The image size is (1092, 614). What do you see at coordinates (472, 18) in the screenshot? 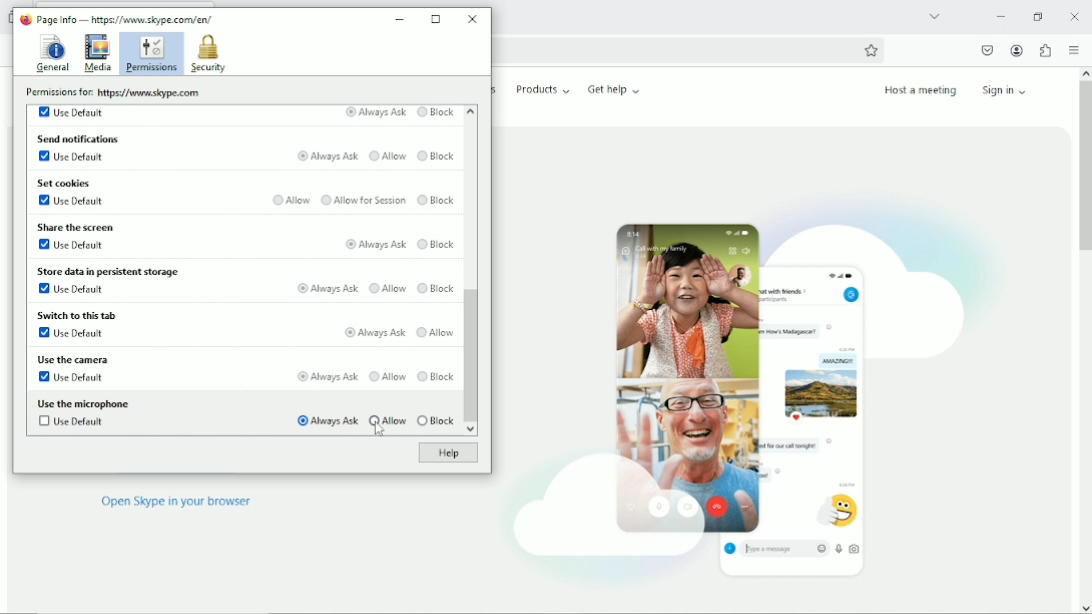
I see `Close` at bounding box center [472, 18].